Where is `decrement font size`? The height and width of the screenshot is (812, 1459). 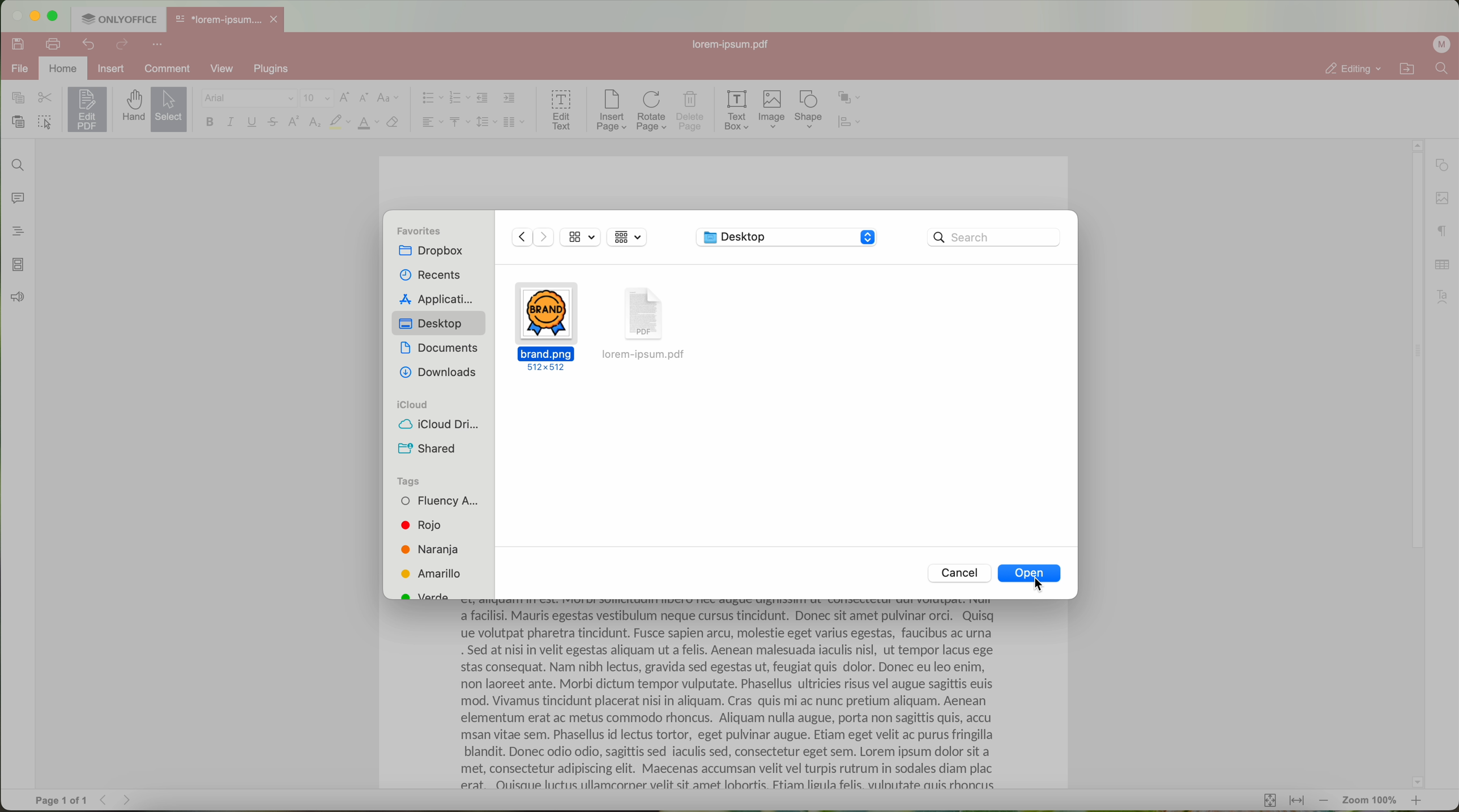 decrement font size is located at coordinates (364, 99).